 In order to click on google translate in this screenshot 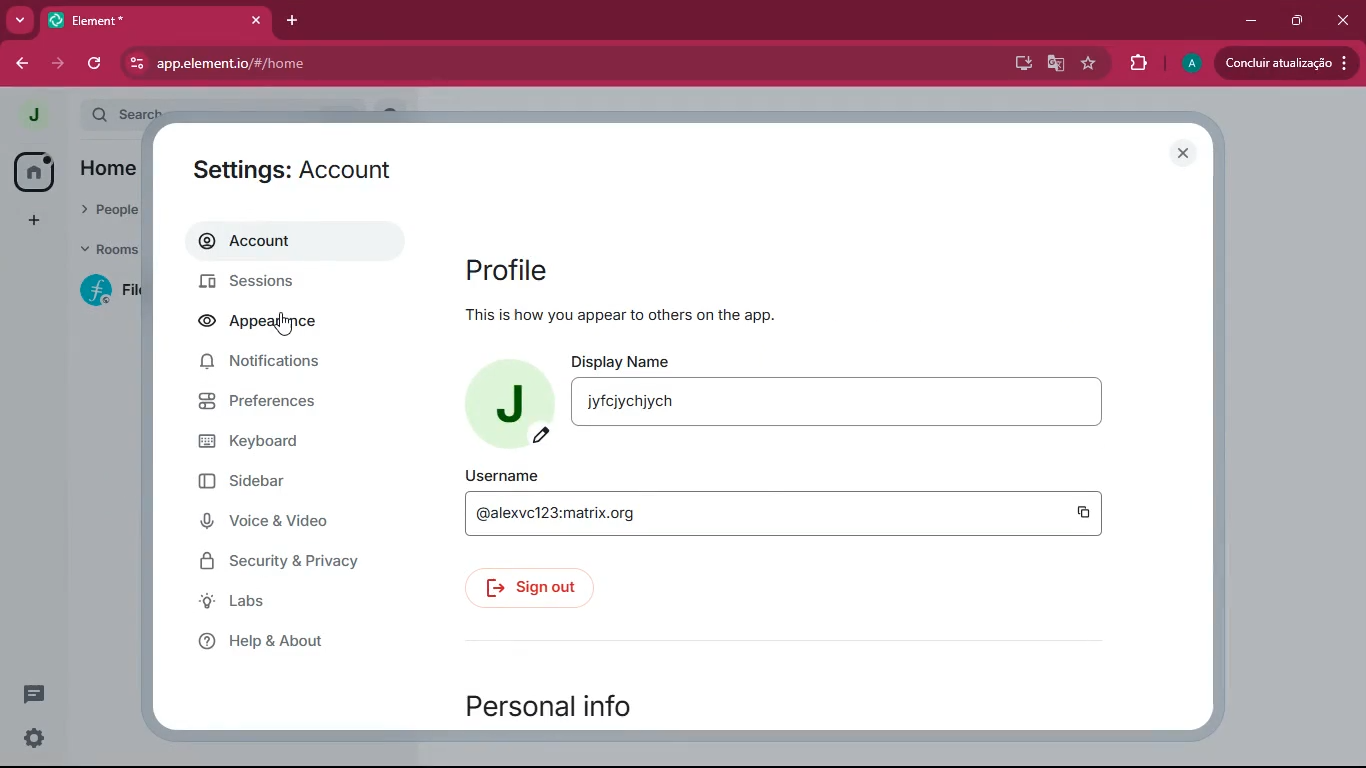, I will do `click(1054, 62)`.